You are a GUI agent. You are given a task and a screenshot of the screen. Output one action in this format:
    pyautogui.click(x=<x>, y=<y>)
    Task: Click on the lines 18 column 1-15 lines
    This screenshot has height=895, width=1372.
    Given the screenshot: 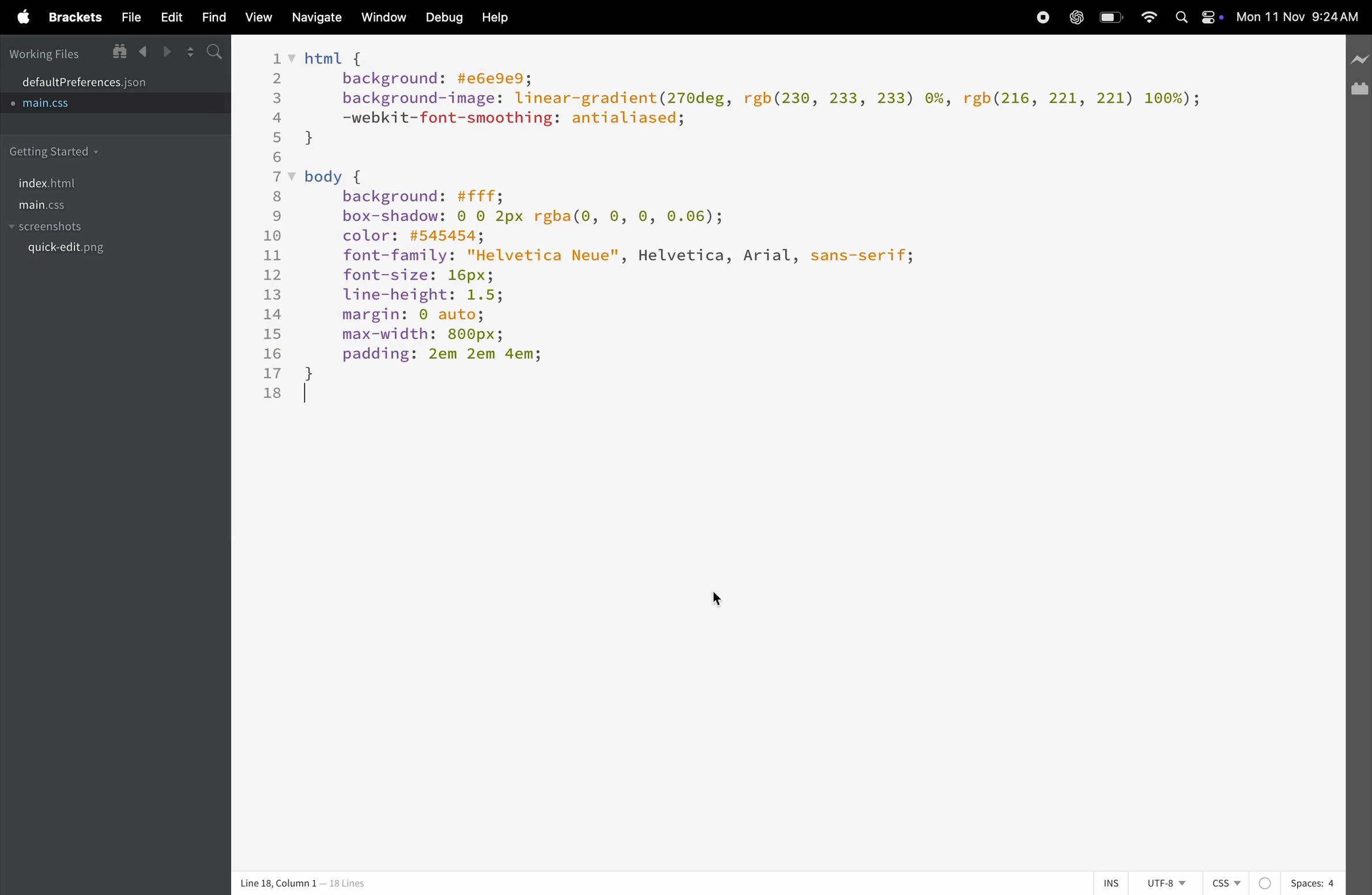 What is the action you would take?
    pyautogui.click(x=337, y=884)
    